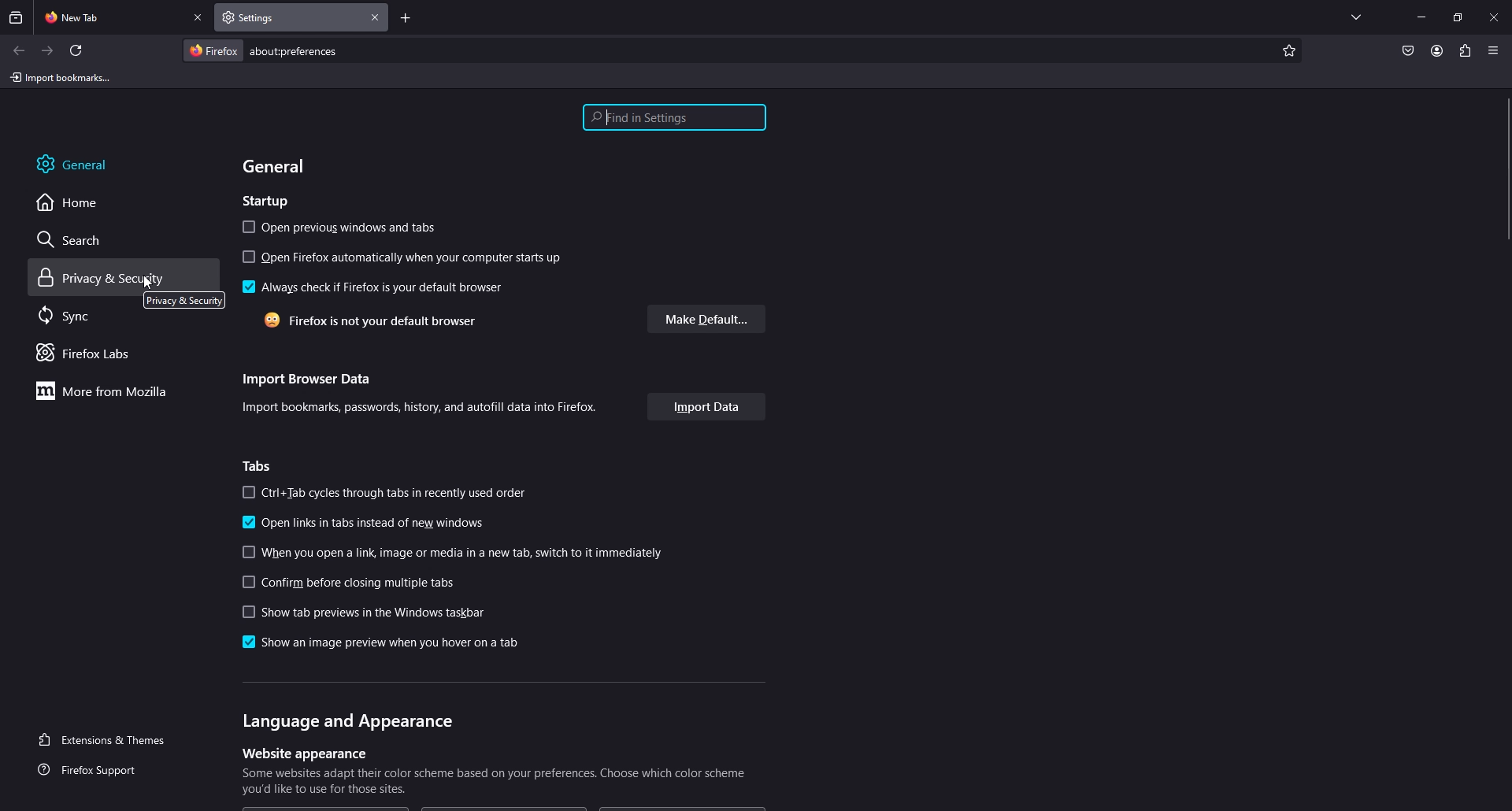 Image resolution: width=1512 pixels, height=811 pixels. What do you see at coordinates (1503, 170) in the screenshot?
I see `vertical scrollbar` at bounding box center [1503, 170].